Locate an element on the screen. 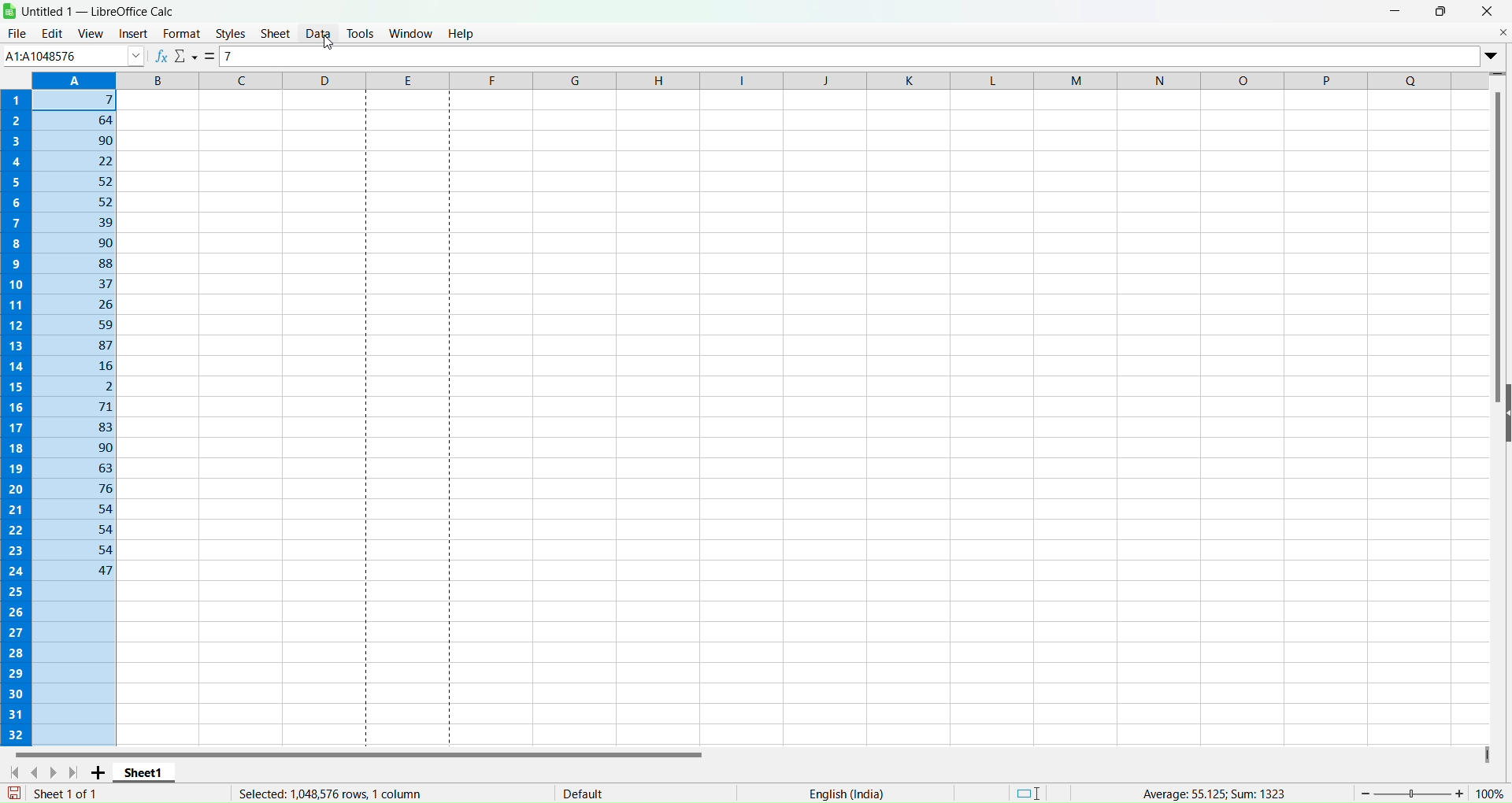  Window is located at coordinates (411, 31).